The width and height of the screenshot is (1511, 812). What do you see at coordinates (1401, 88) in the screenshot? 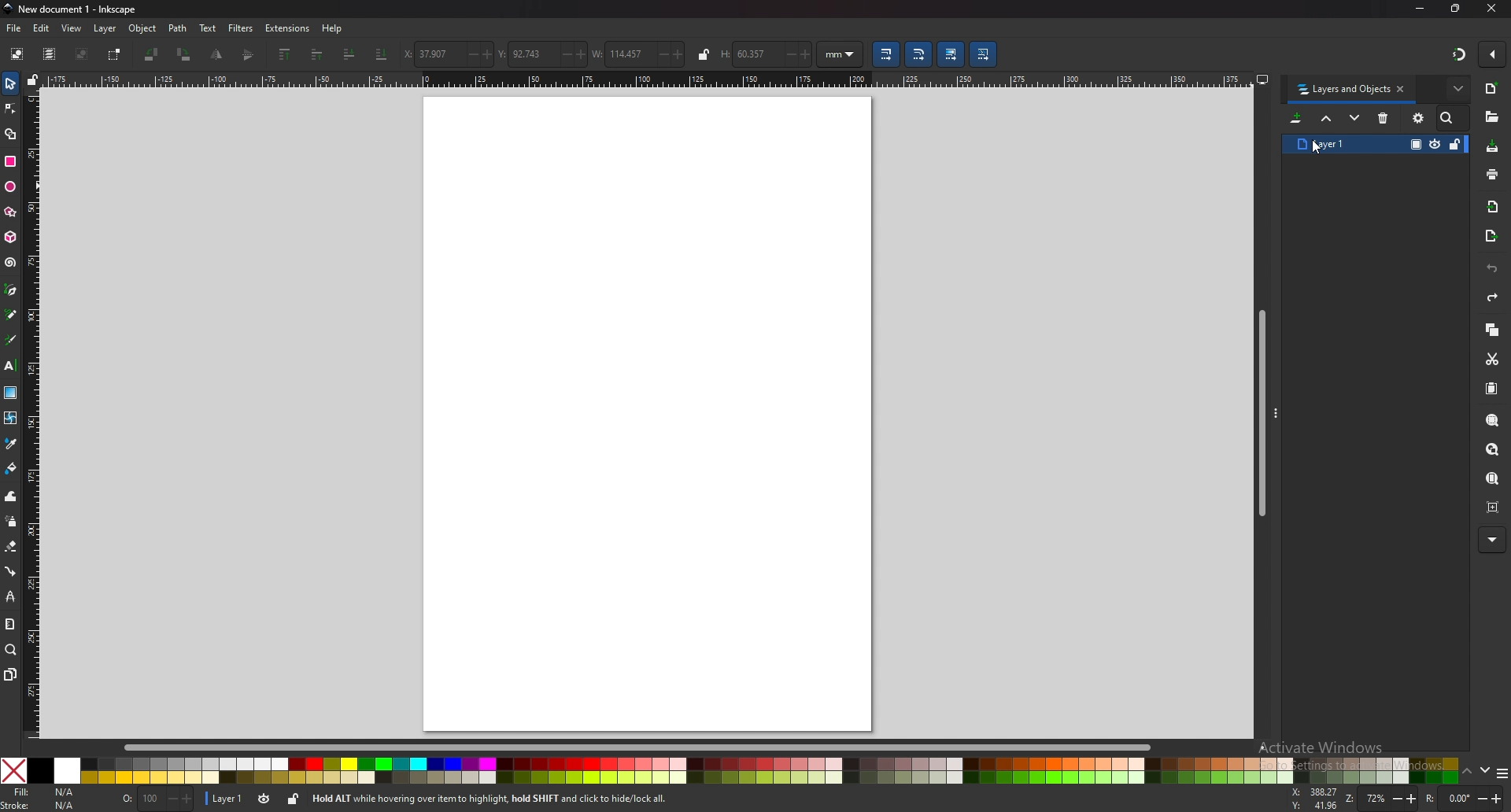
I see `close sidebar` at bounding box center [1401, 88].